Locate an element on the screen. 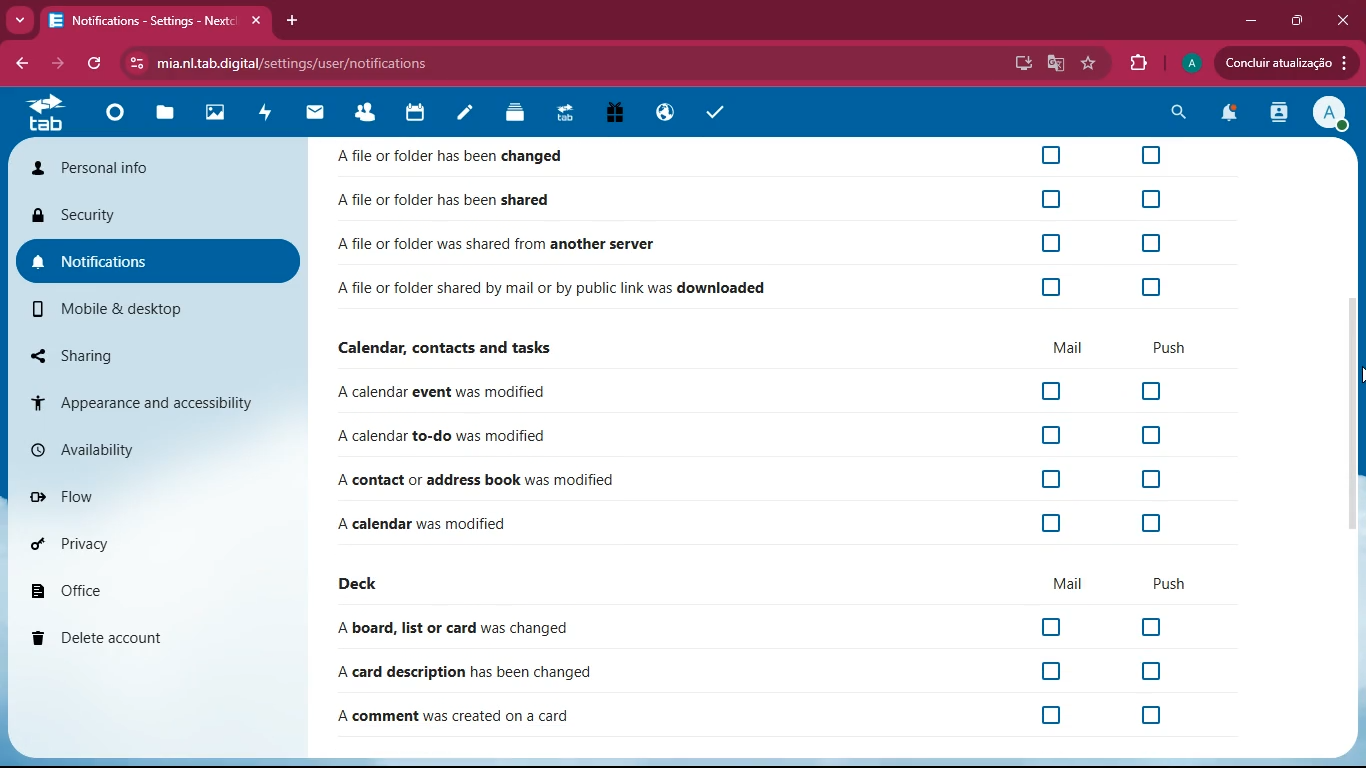 The height and width of the screenshot is (768, 1366). activity is located at coordinates (1274, 114).